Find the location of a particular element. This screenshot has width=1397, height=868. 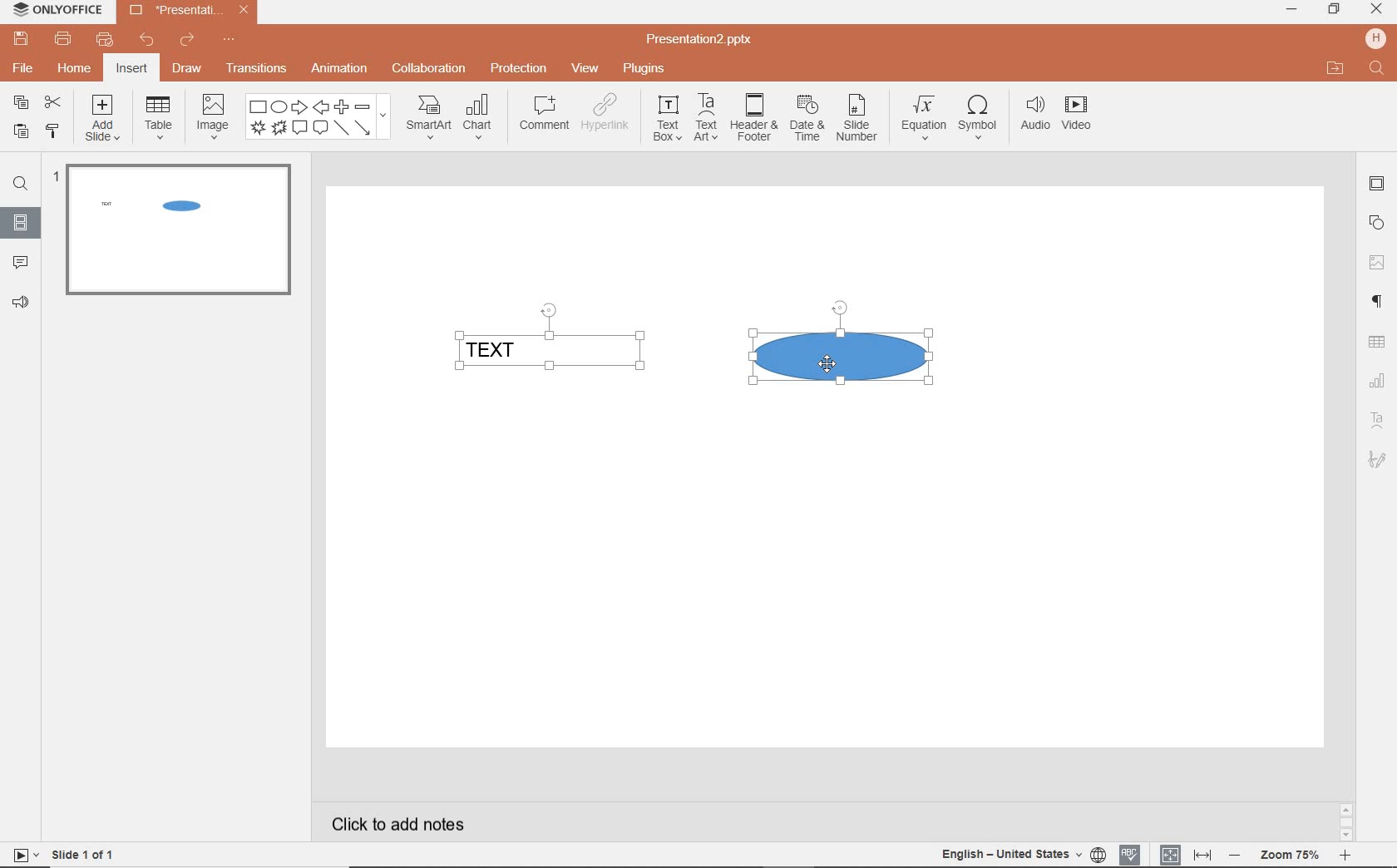

add slide is located at coordinates (103, 121).